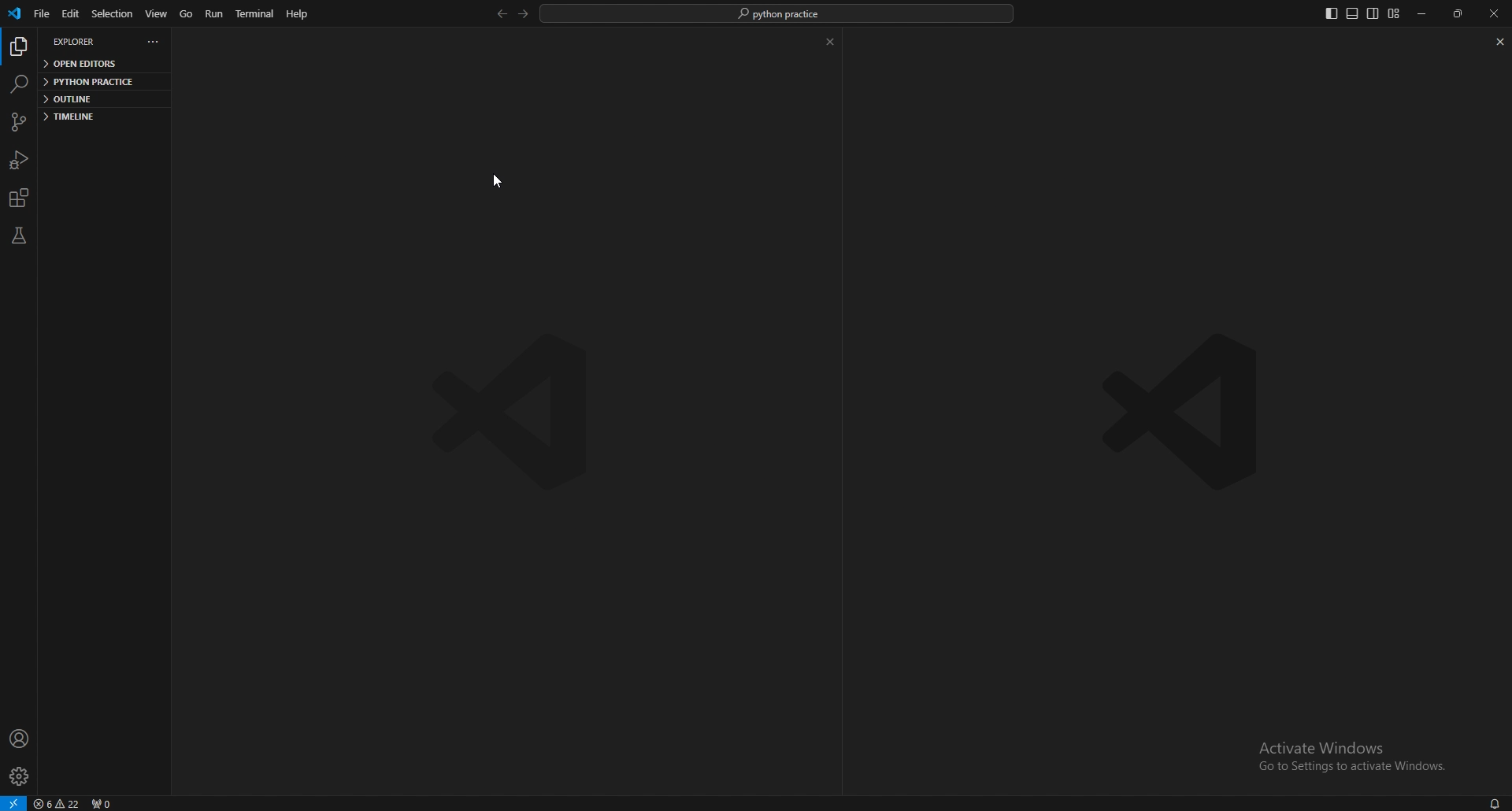 Image resolution: width=1512 pixels, height=811 pixels. Describe the element at coordinates (523, 13) in the screenshot. I see `forward` at that location.